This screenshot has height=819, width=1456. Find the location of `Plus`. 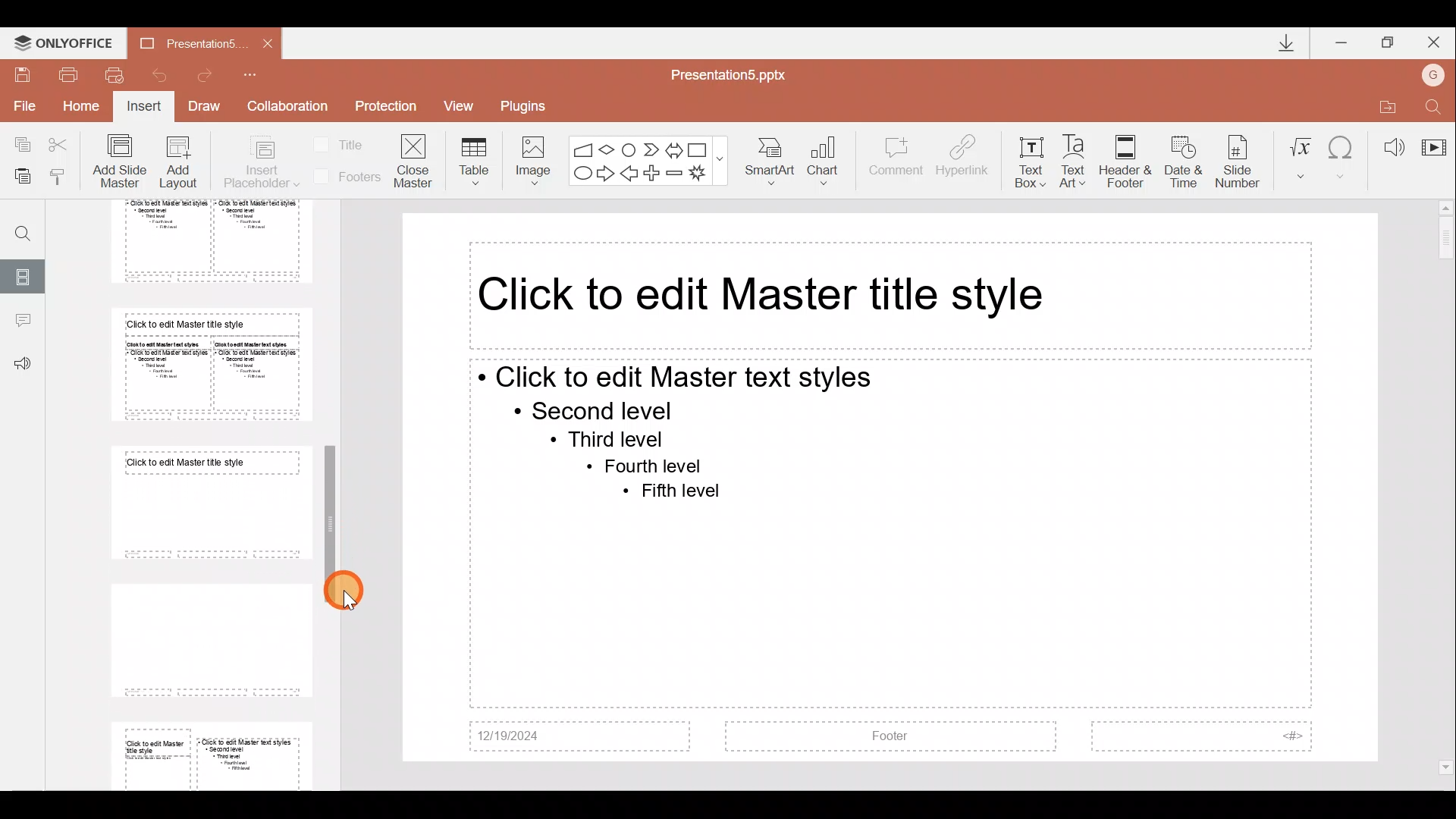

Plus is located at coordinates (654, 171).